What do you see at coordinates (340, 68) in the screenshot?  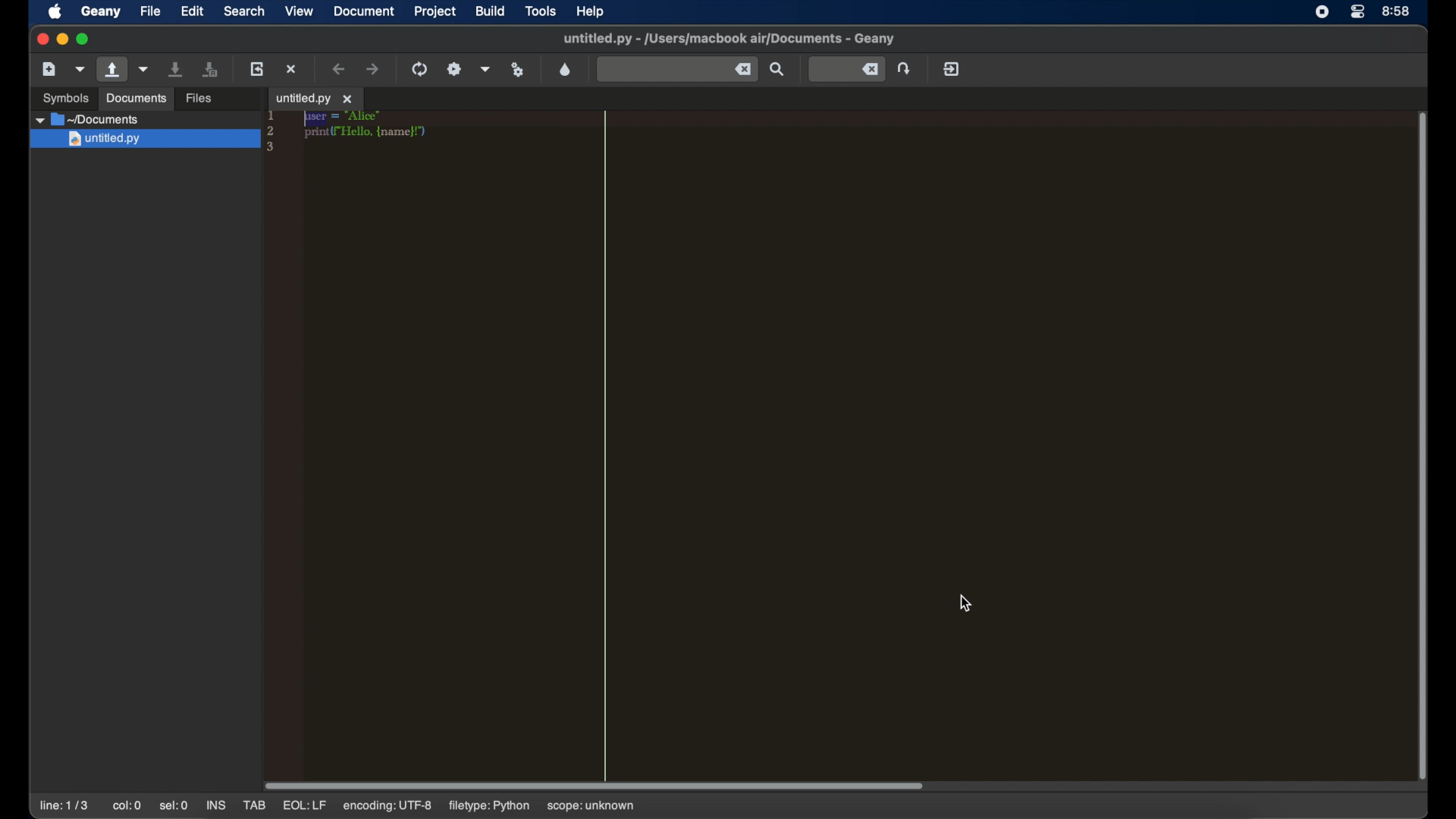 I see `navigate back a location` at bounding box center [340, 68].